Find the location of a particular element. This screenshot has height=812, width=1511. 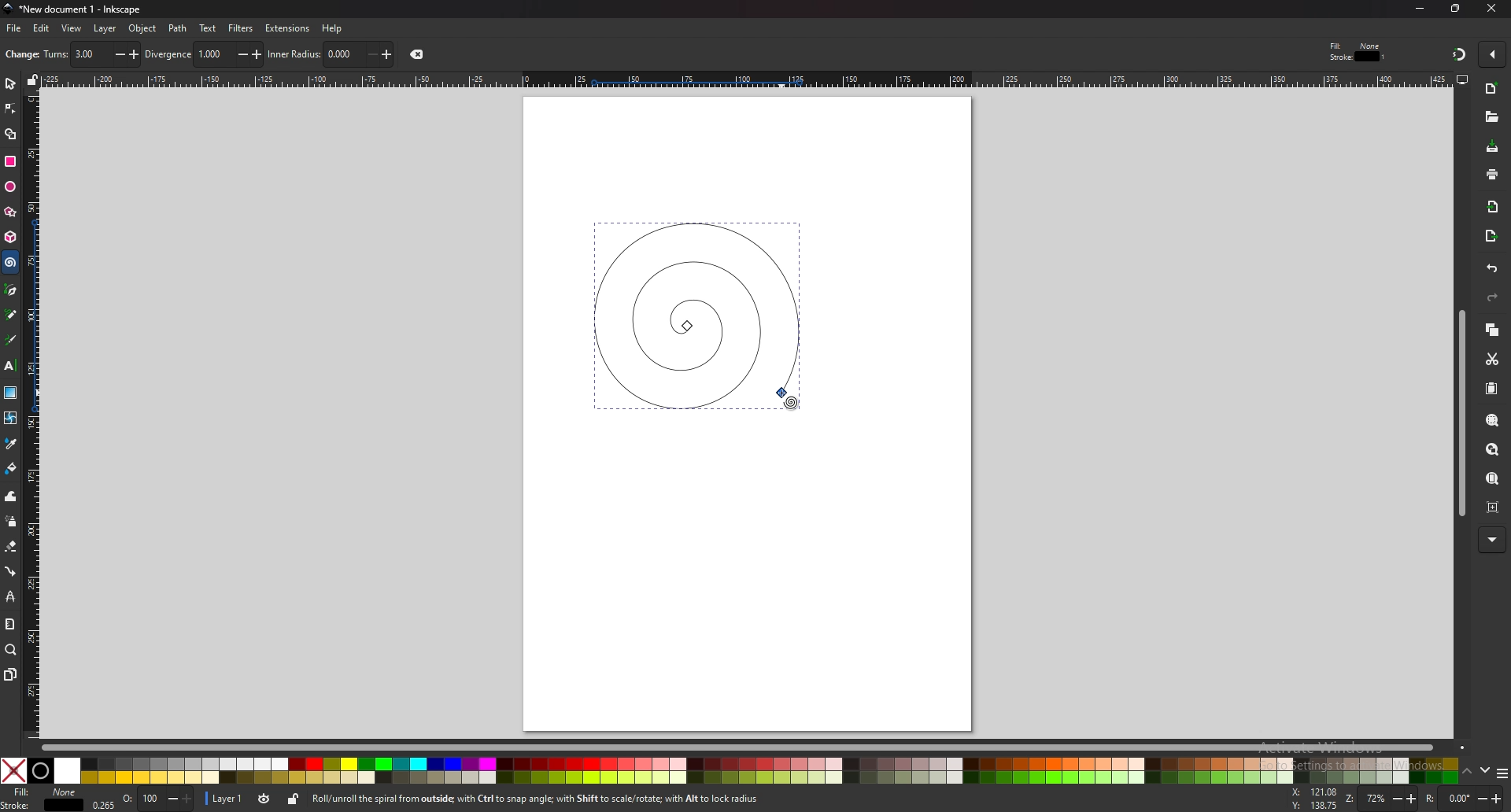

print is located at coordinates (1491, 174).